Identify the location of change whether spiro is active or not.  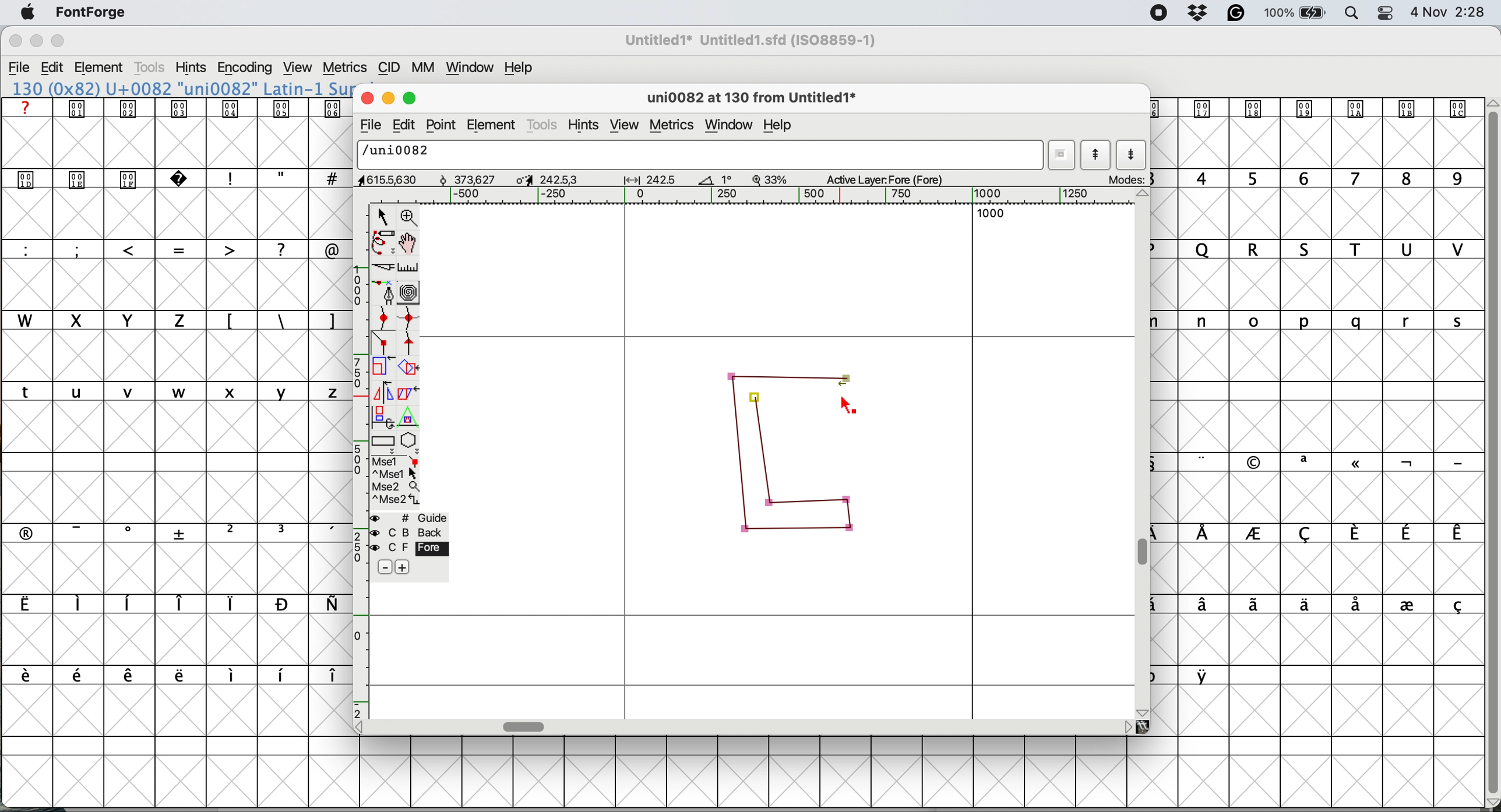
(410, 292).